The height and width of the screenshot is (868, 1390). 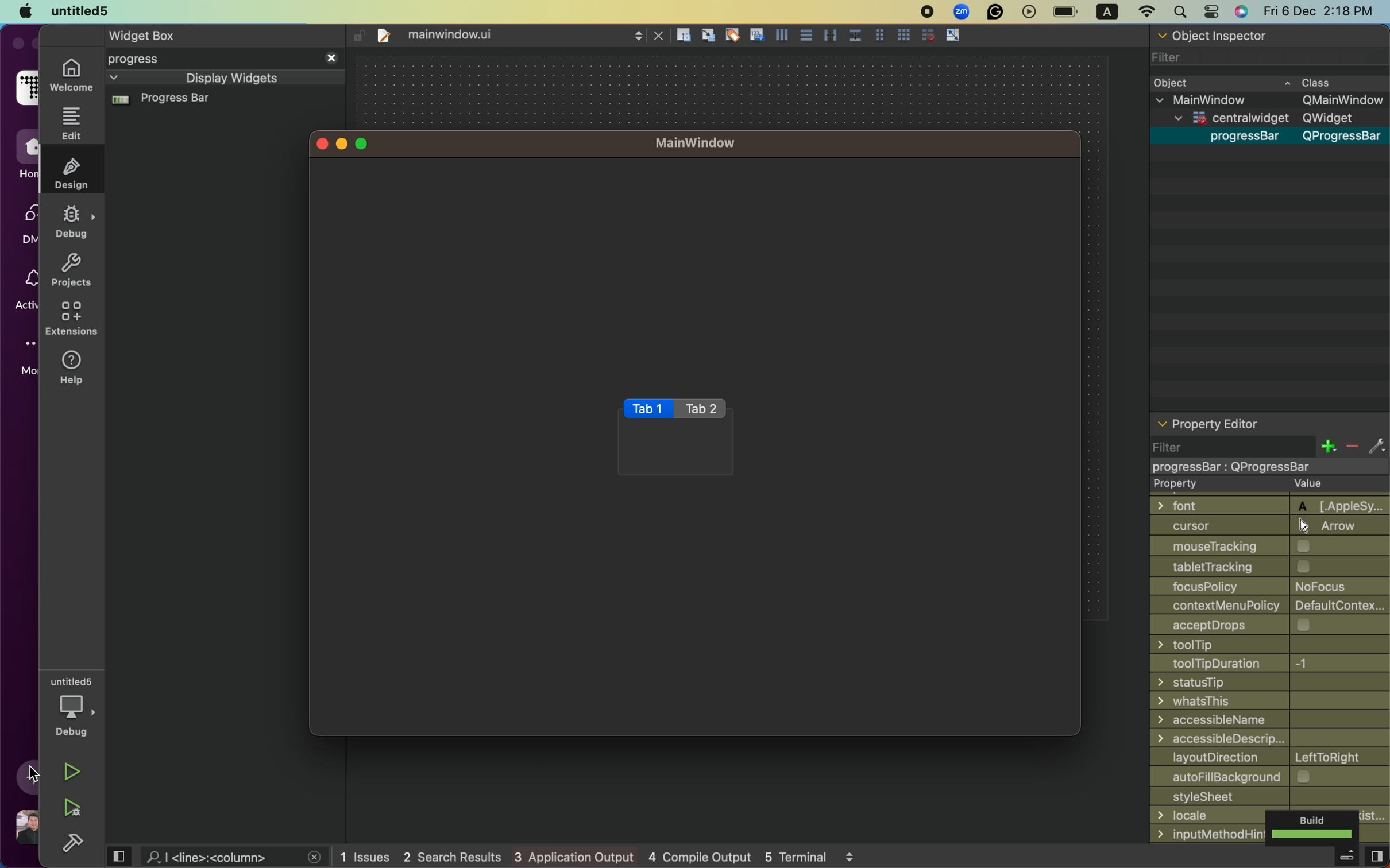 I want to click on untitled 5, so click(x=81, y=10).